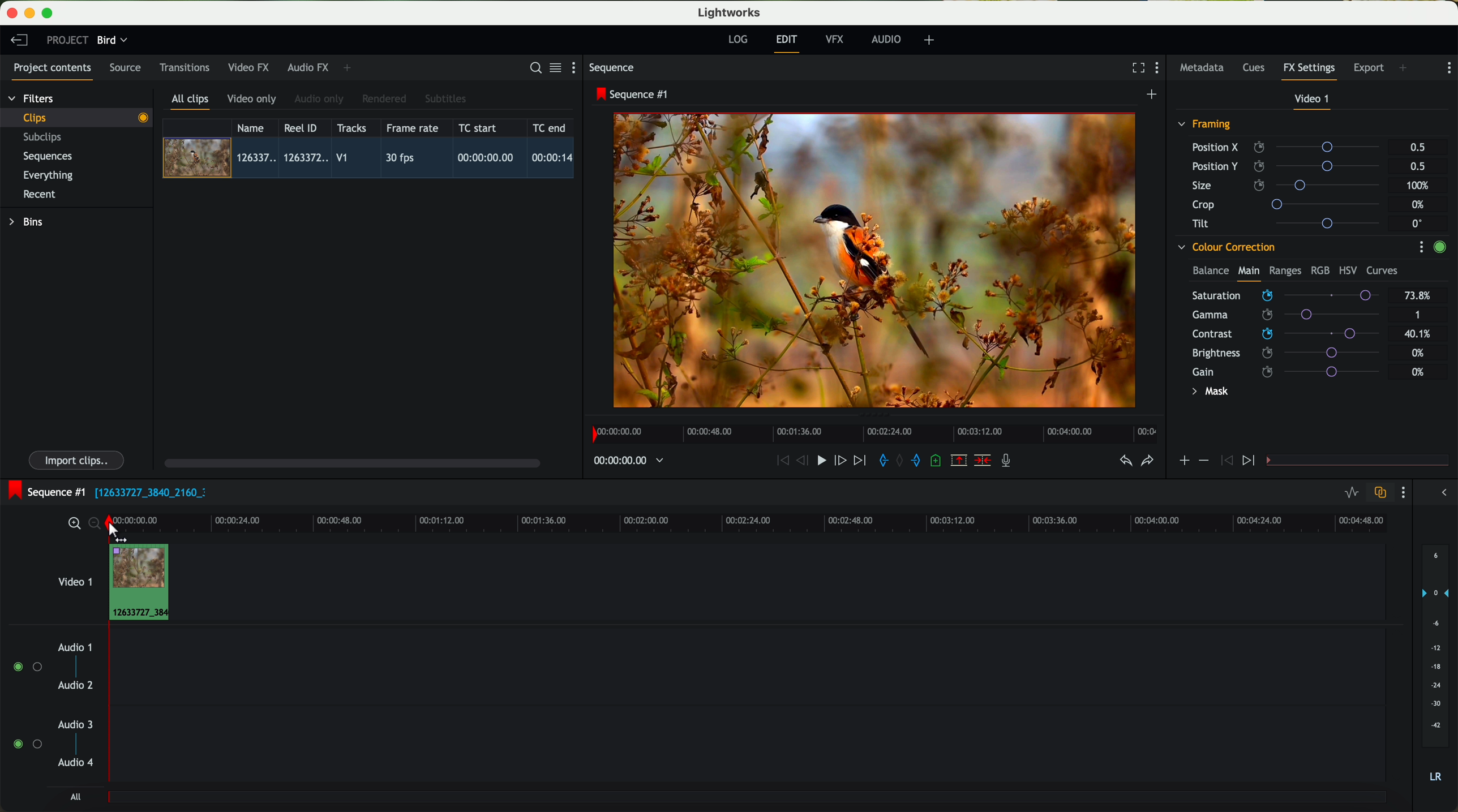  What do you see at coordinates (350, 68) in the screenshot?
I see `add panel` at bounding box center [350, 68].